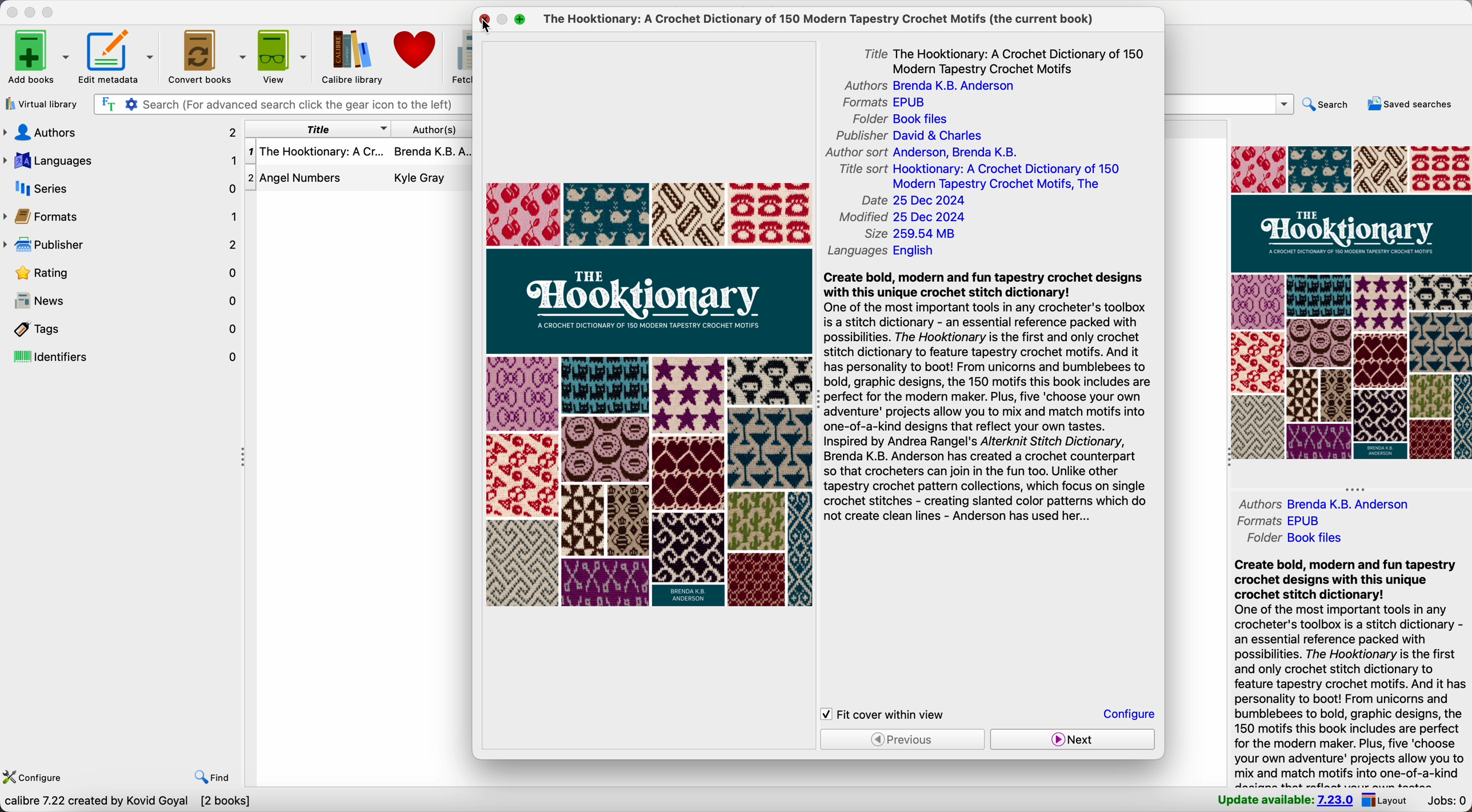 Image resolution: width=1472 pixels, height=812 pixels. Describe the element at coordinates (1350, 302) in the screenshot. I see `book cover preview` at that location.